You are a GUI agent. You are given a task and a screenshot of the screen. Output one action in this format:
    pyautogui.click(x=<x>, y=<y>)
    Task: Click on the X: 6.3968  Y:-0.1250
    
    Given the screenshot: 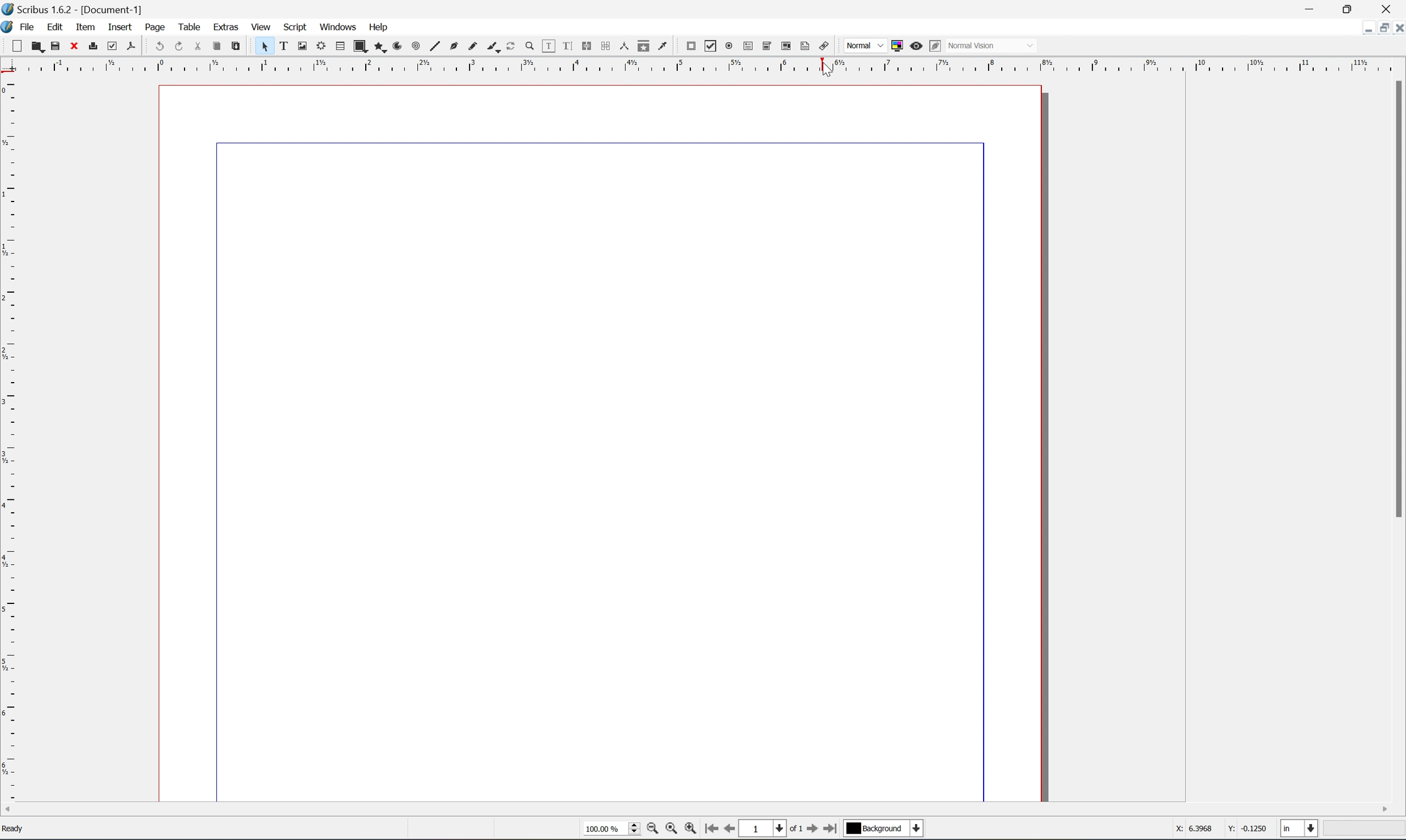 What is the action you would take?
    pyautogui.click(x=1217, y=828)
    